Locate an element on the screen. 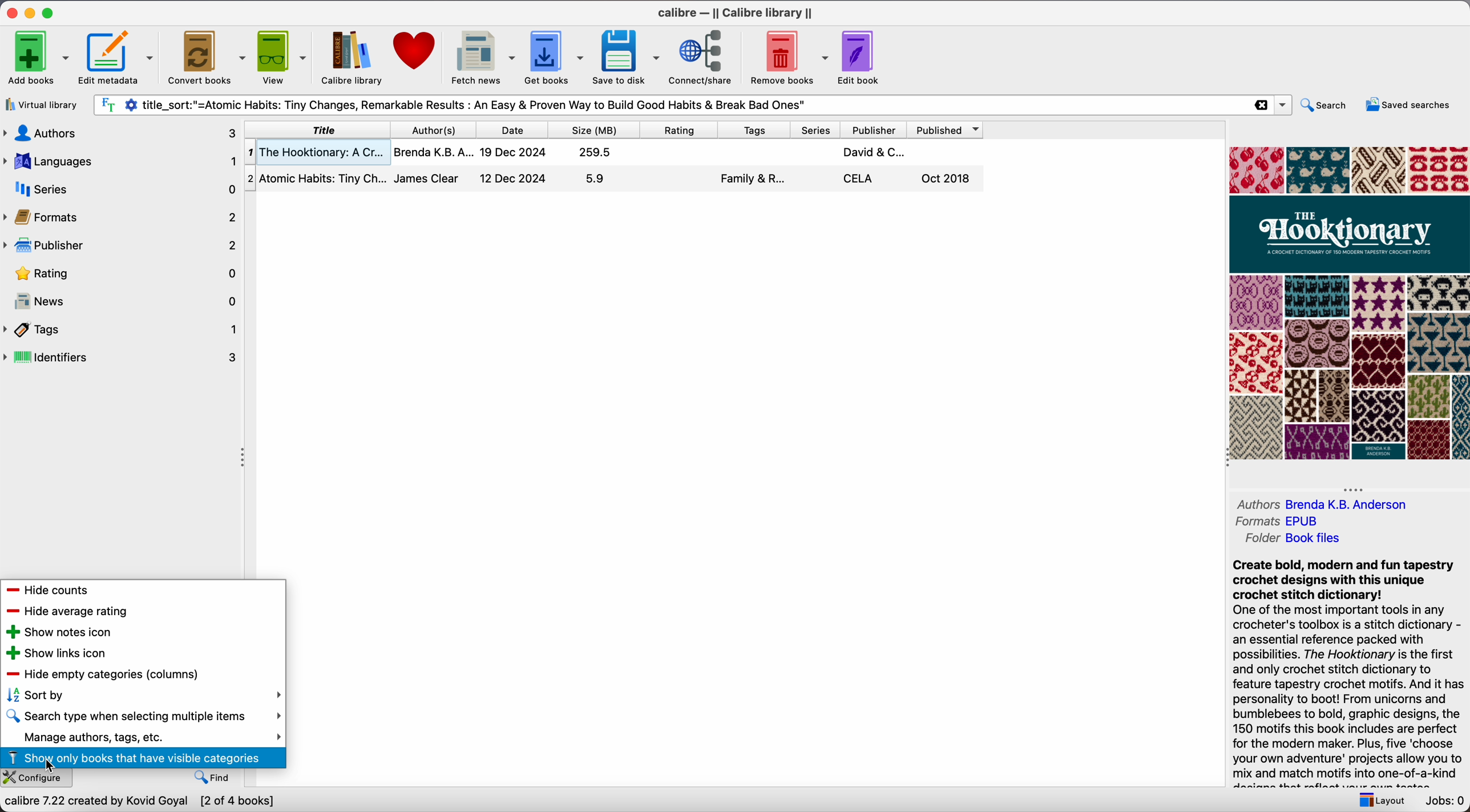  clear is located at coordinates (1261, 105).